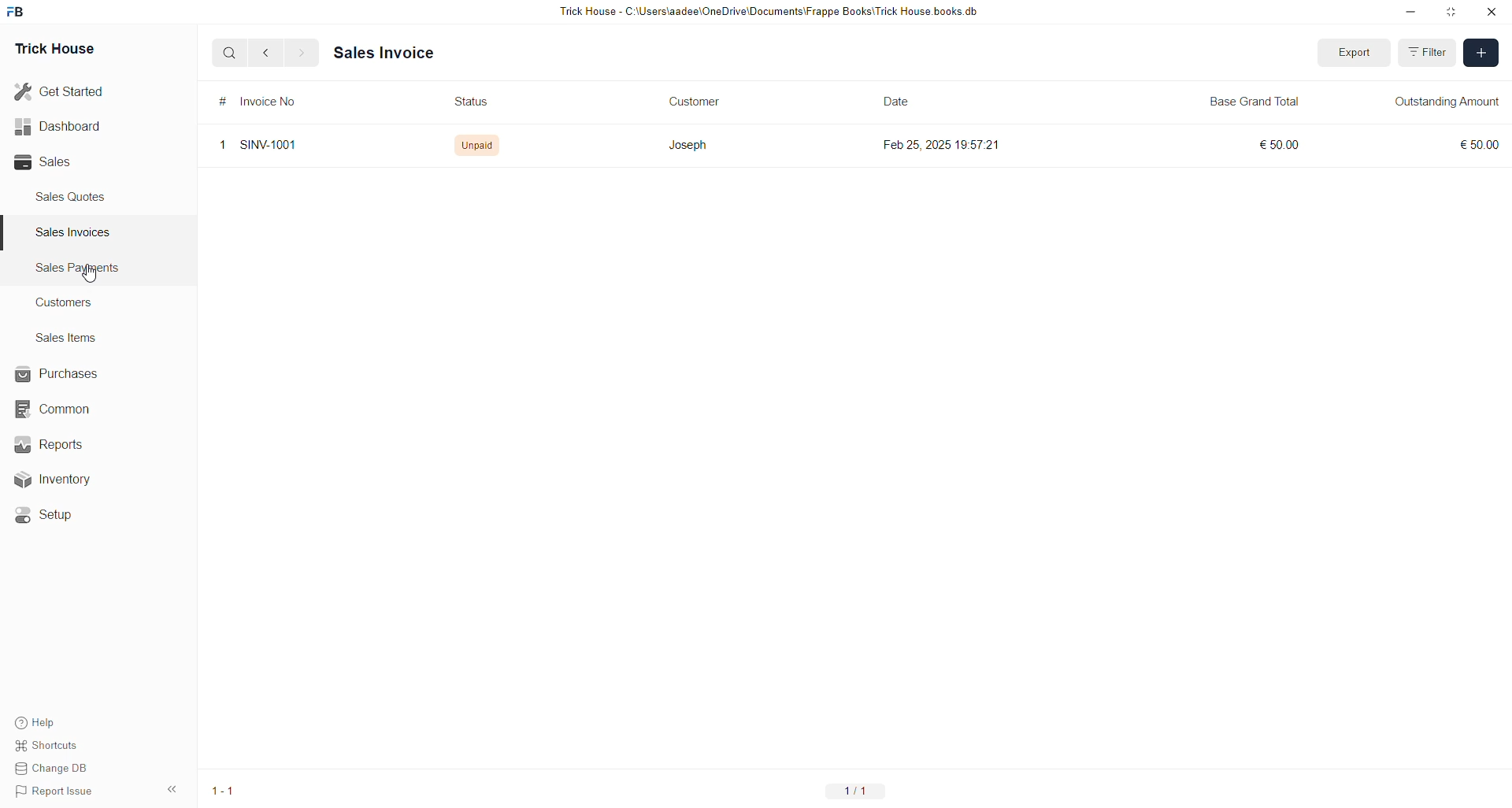  Describe the element at coordinates (51, 517) in the screenshot. I see `Setup` at that location.